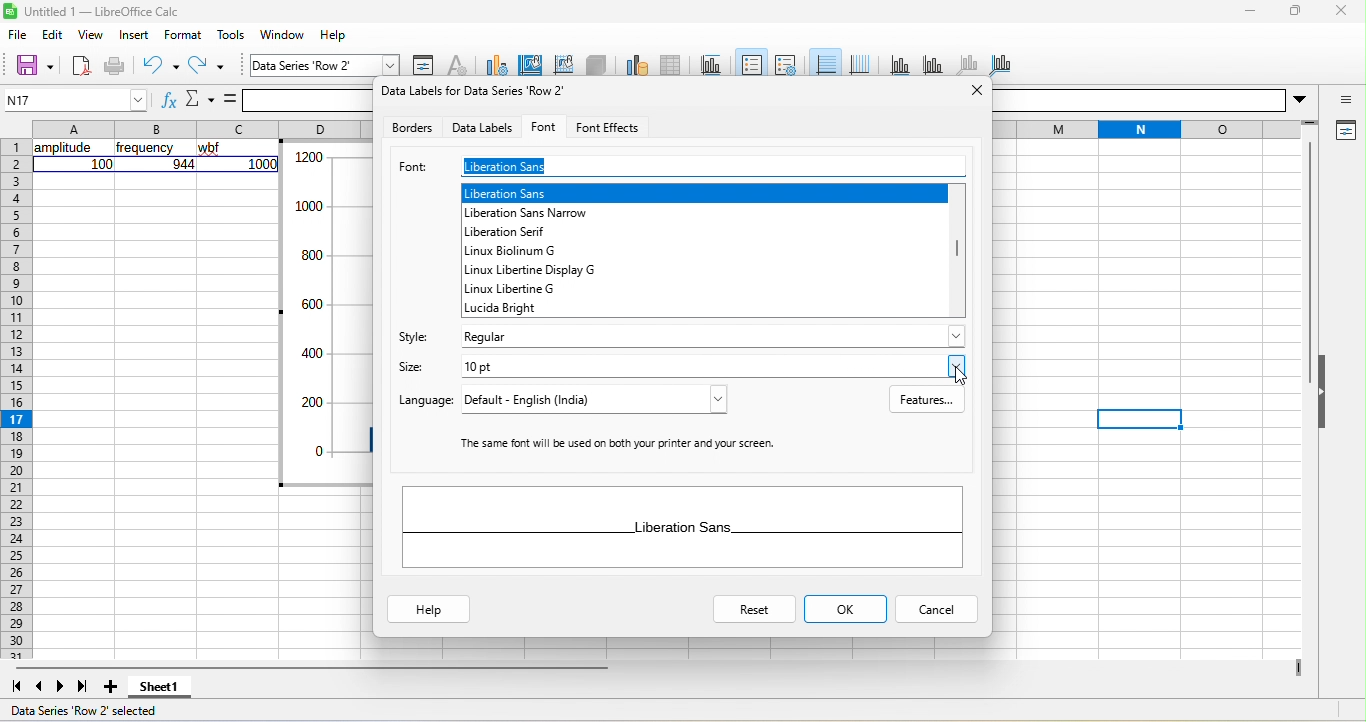 The image size is (1366, 722). I want to click on borders, so click(410, 127).